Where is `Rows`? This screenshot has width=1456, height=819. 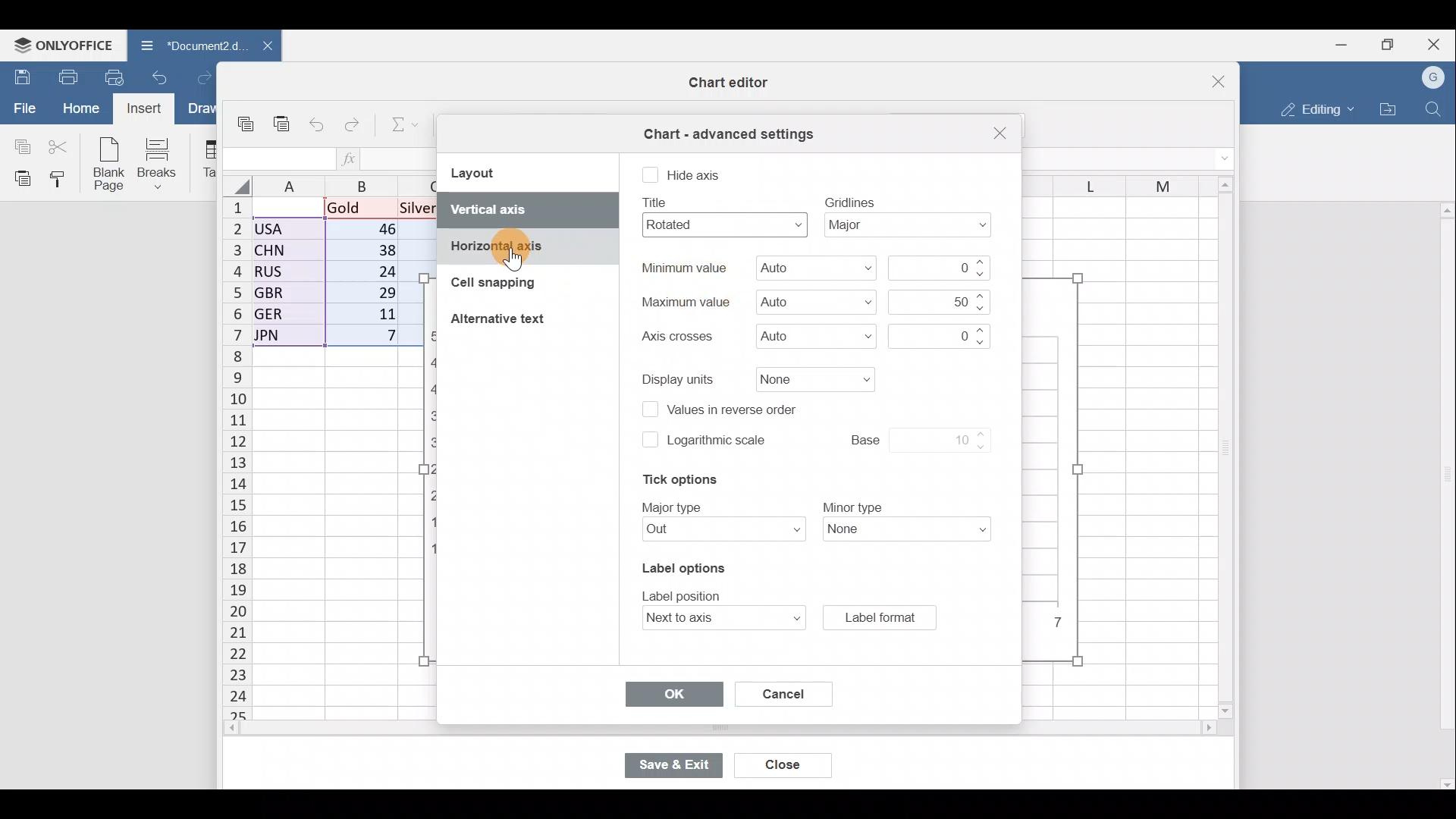 Rows is located at coordinates (227, 460).